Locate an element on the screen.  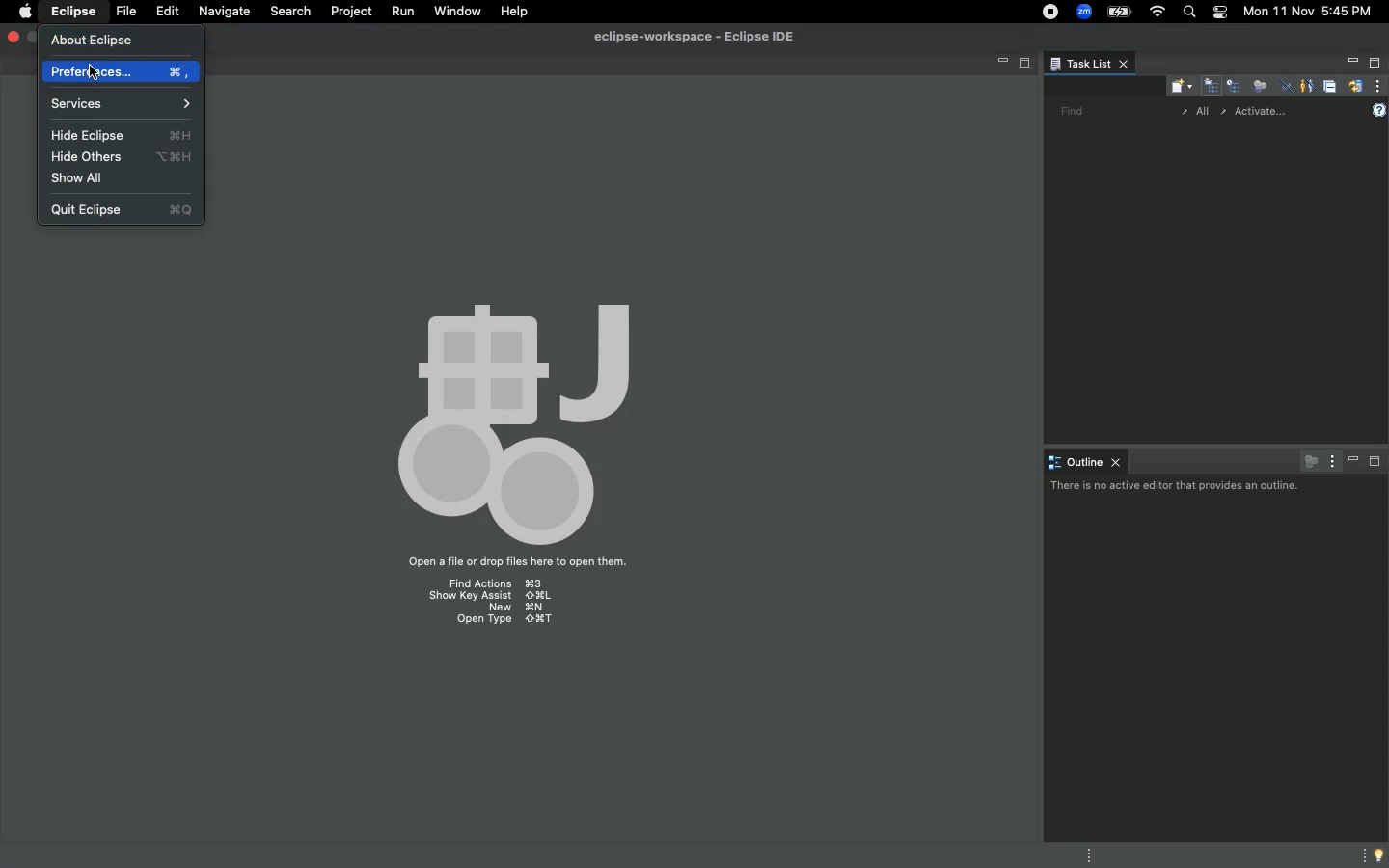
Window is located at coordinates (457, 12).